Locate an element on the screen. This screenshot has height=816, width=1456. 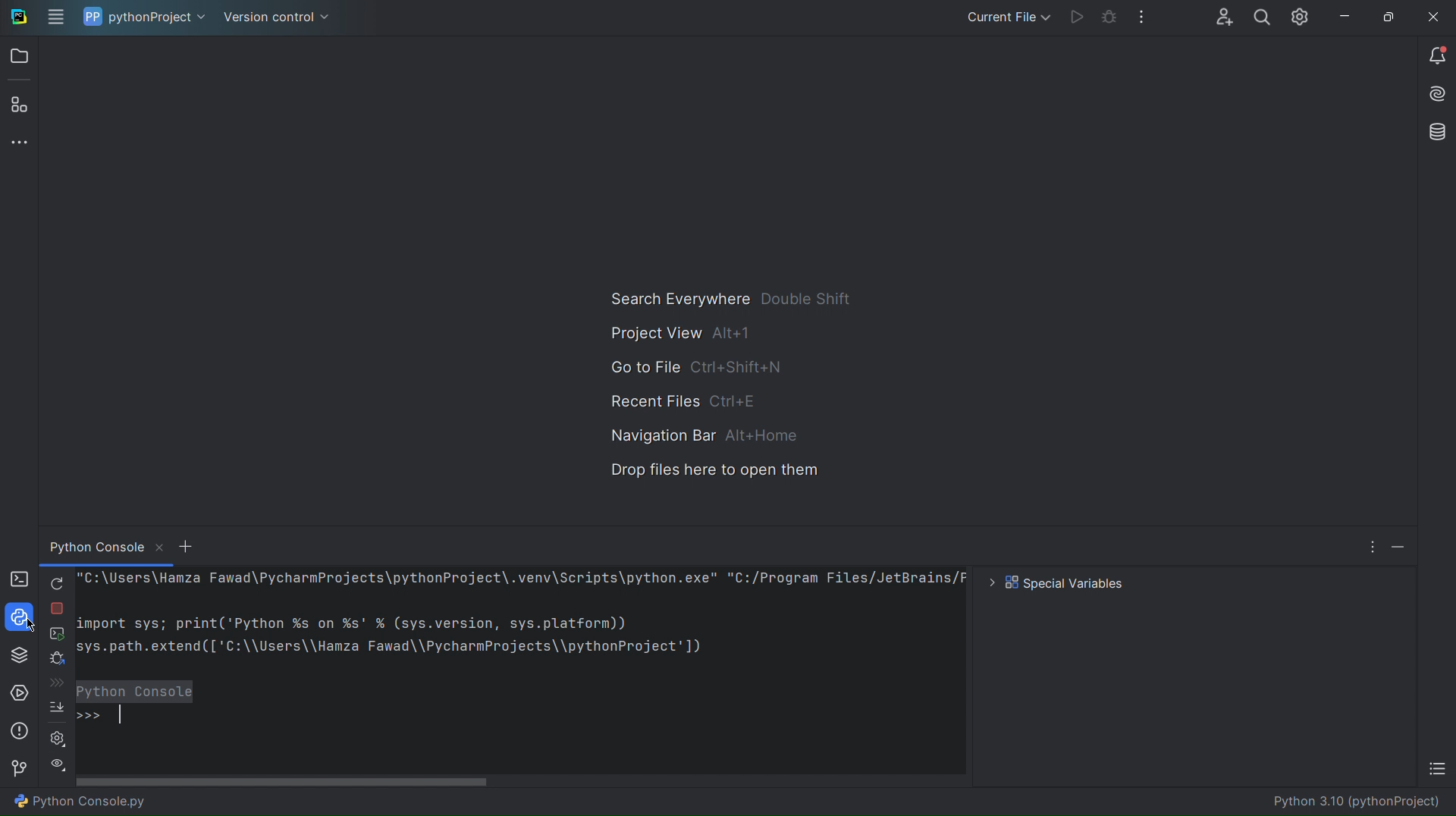
Navigator Bar is located at coordinates (705, 437).